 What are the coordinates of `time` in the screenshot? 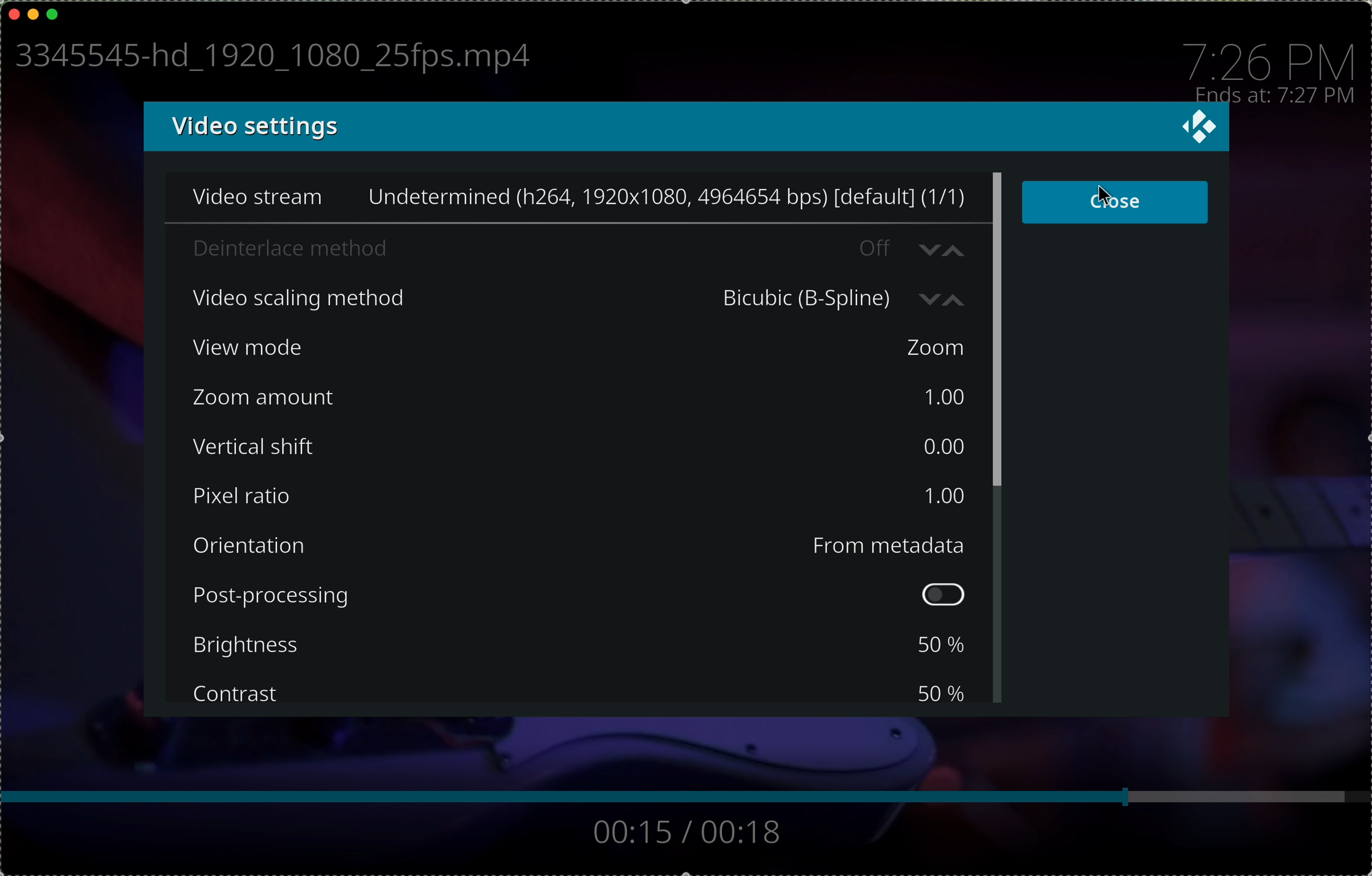 It's located at (1264, 60).